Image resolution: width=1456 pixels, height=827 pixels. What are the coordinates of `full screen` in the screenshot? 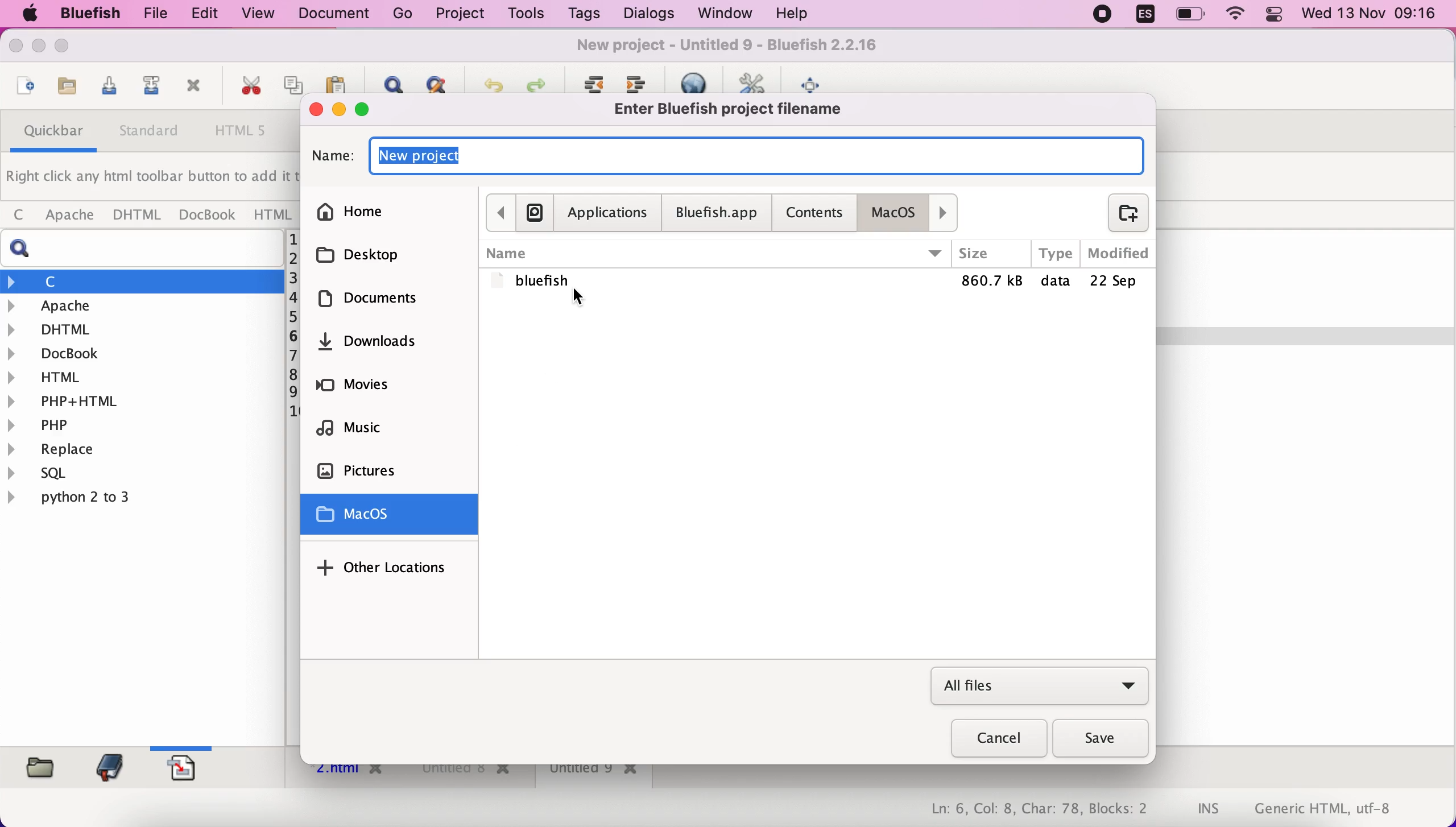 It's located at (816, 82).